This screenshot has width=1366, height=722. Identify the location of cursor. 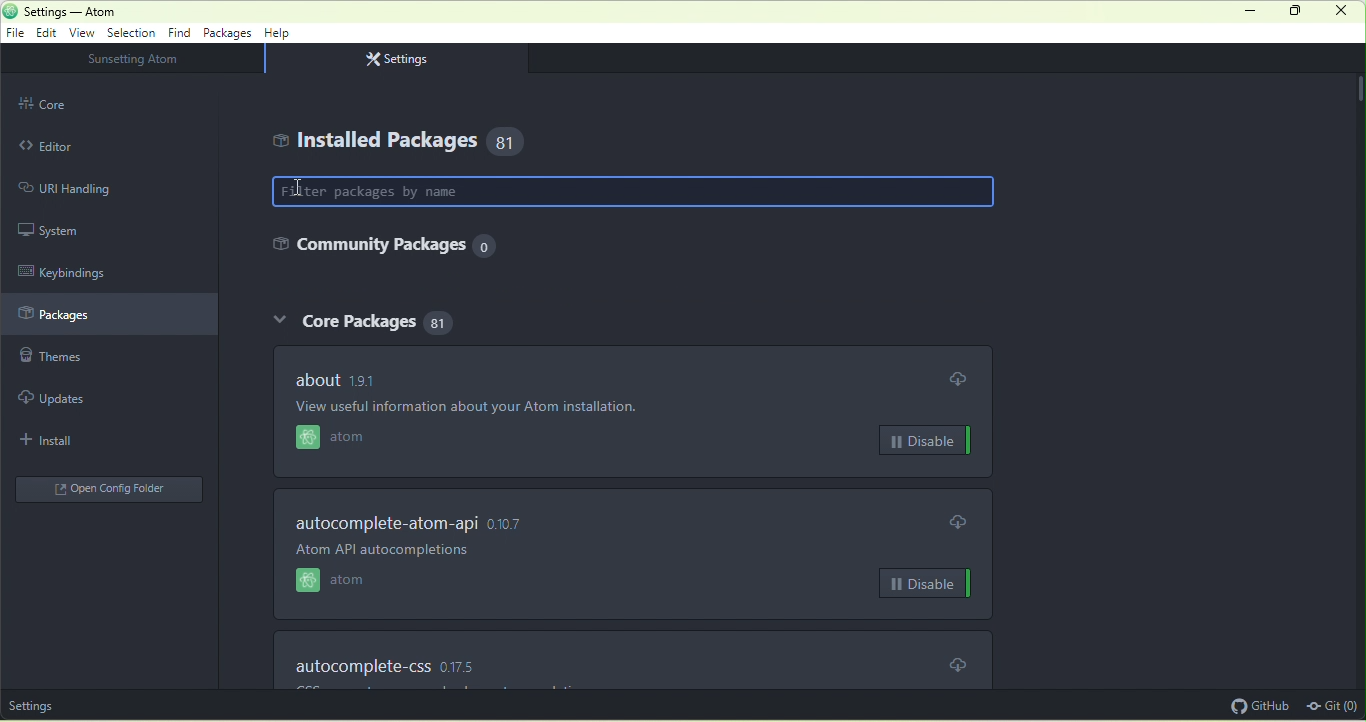
(298, 188).